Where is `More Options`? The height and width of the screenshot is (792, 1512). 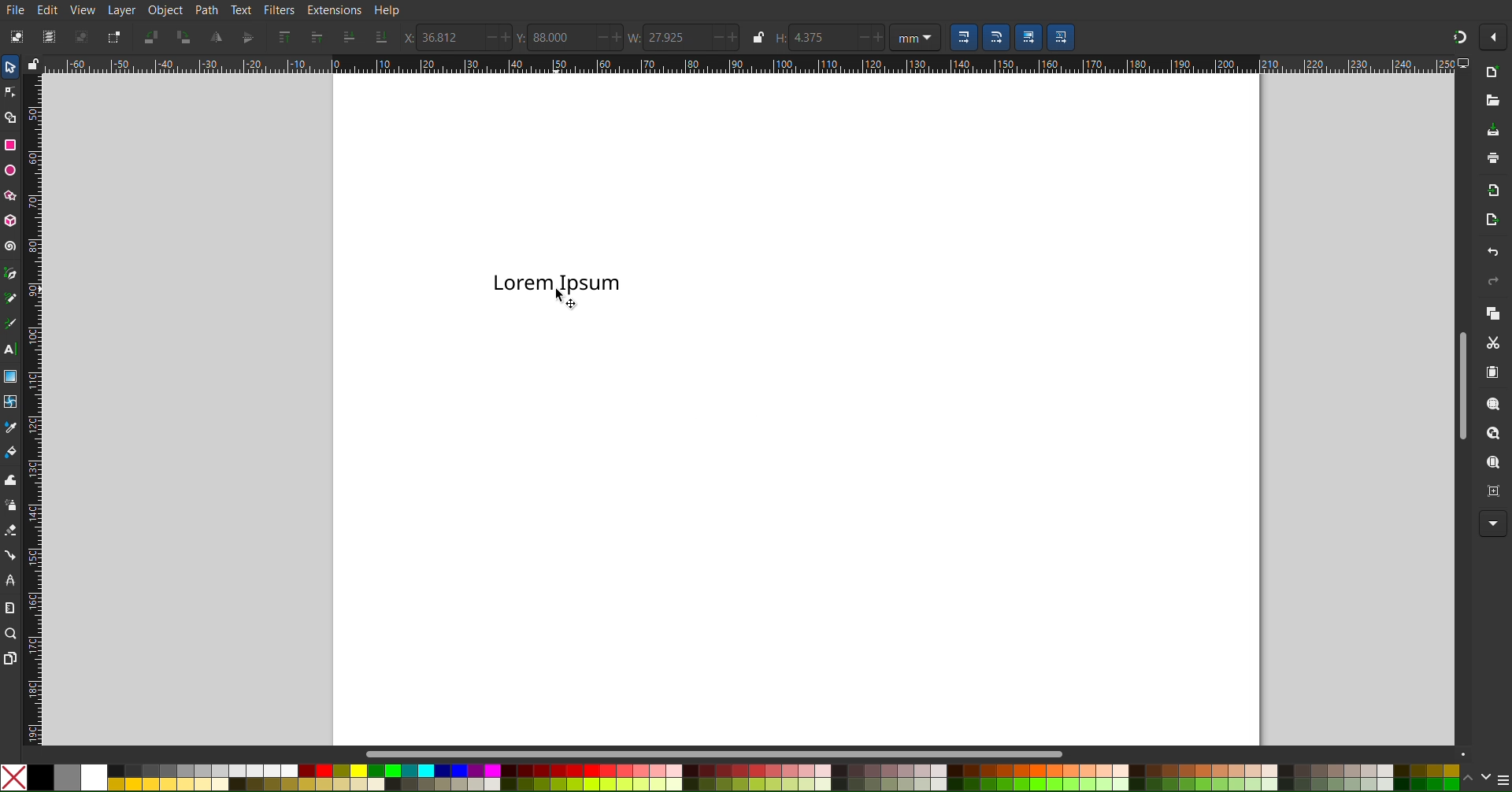
More Options is located at coordinates (1493, 524).